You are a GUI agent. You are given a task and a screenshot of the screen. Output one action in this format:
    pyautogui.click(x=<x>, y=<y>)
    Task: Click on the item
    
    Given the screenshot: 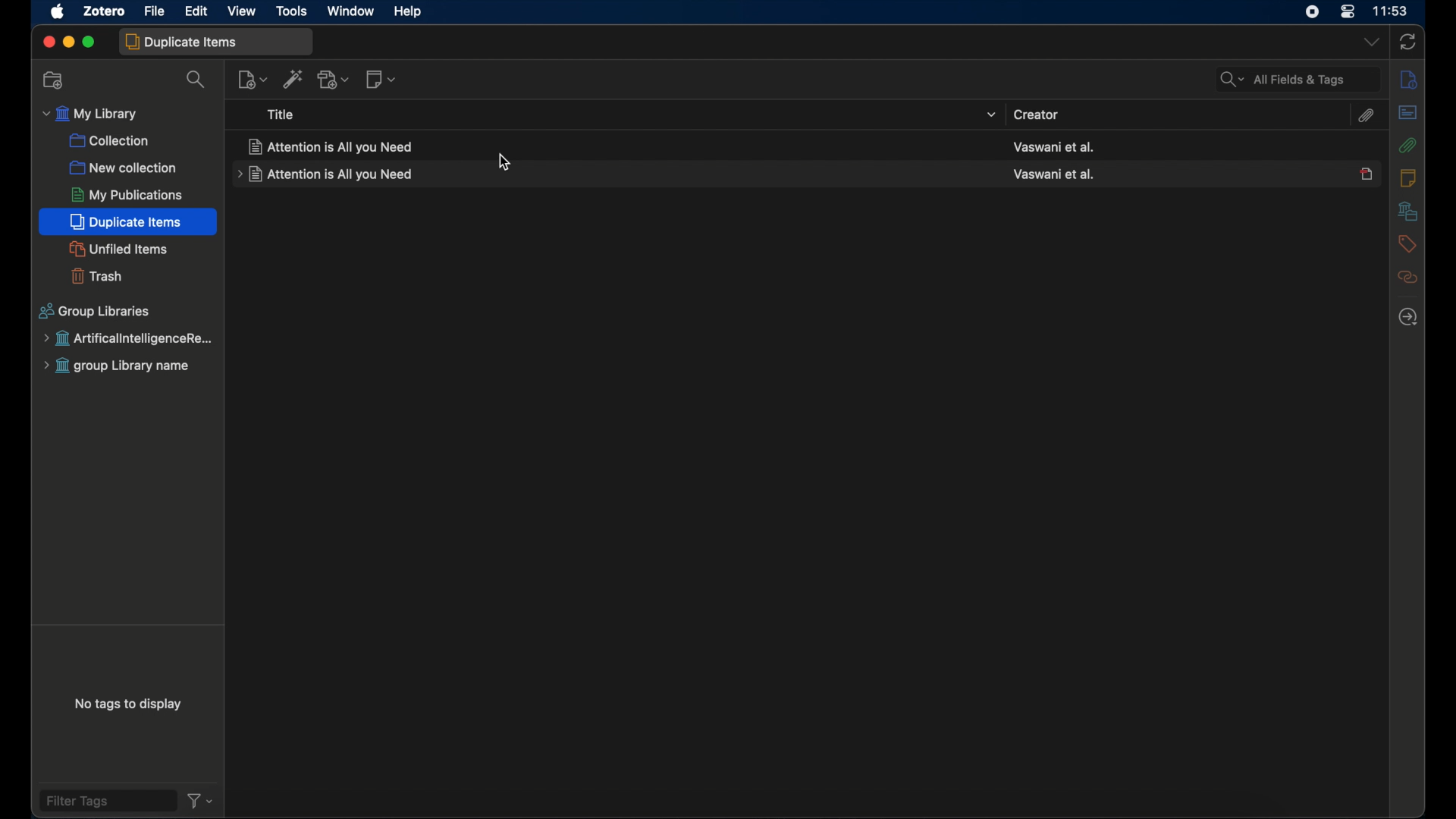 What is the action you would take?
    pyautogui.click(x=1365, y=174)
    